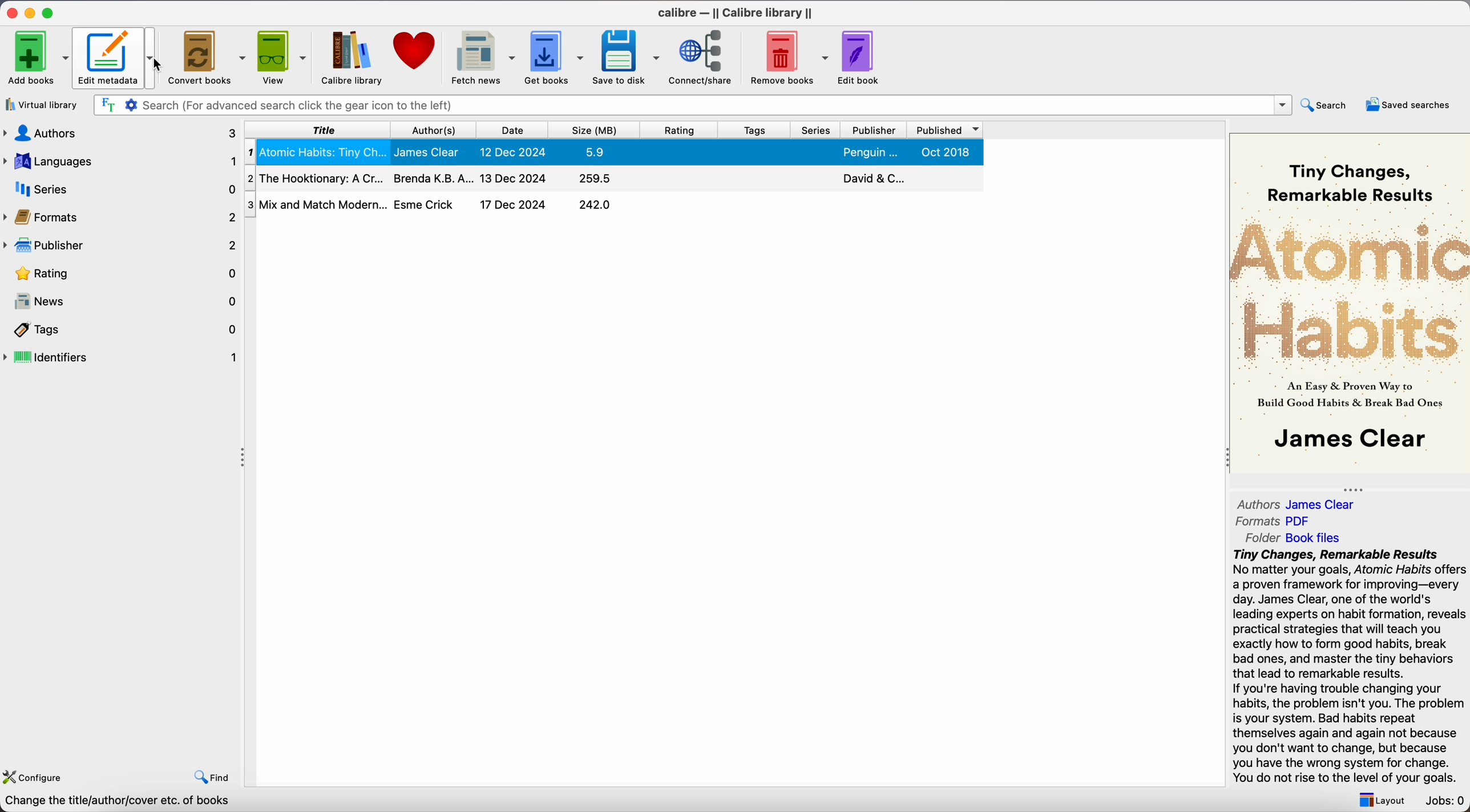 This screenshot has width=1470, height=812. I want to click on tags, so click(754, 130).